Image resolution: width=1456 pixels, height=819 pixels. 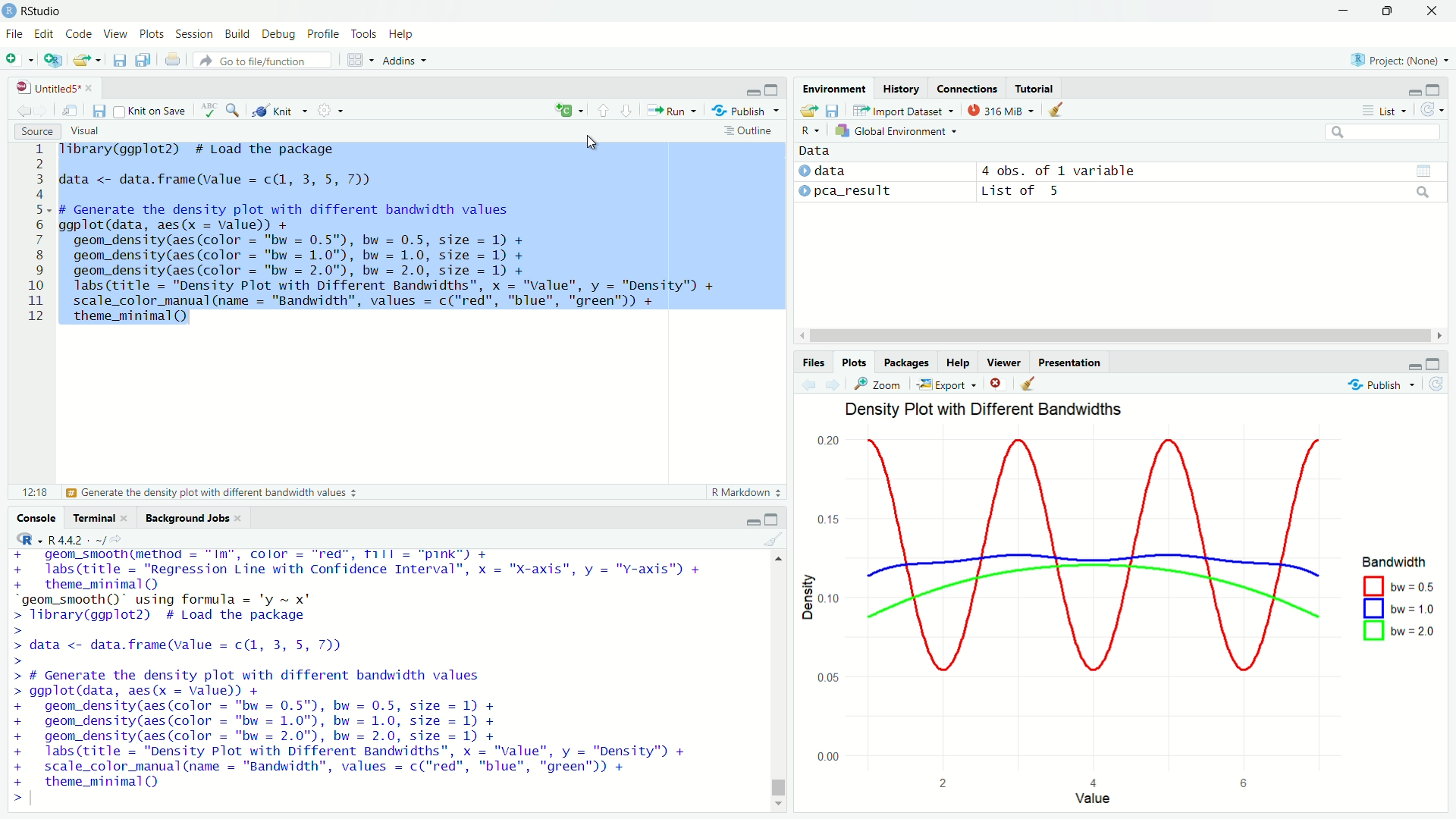 I want to click on legend, so click(x=1399, y=598).